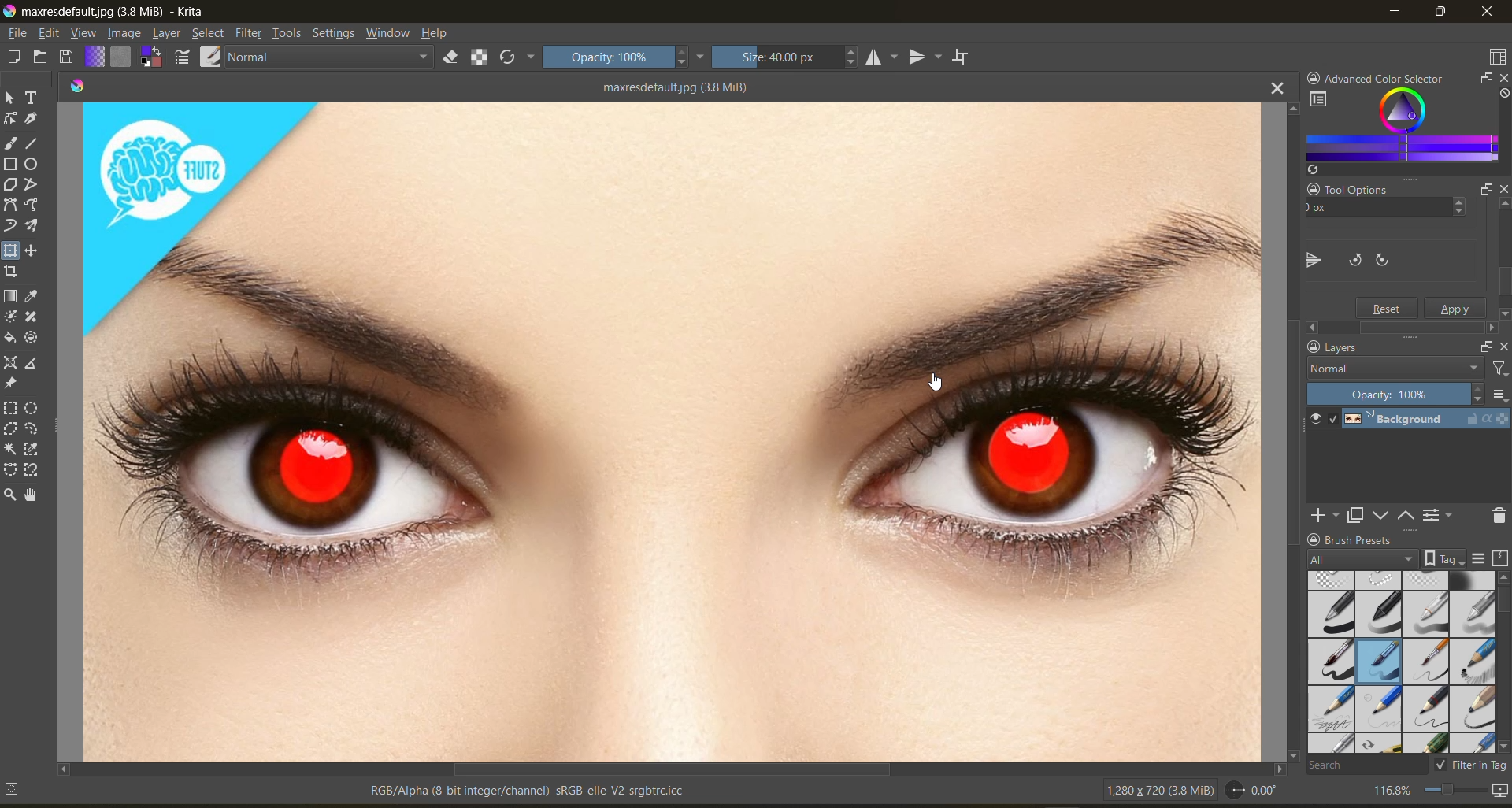  What do you see at coordinates (1314, 539) in the screenshot?
I see `lock docker` at bounding box center [1314, 539].